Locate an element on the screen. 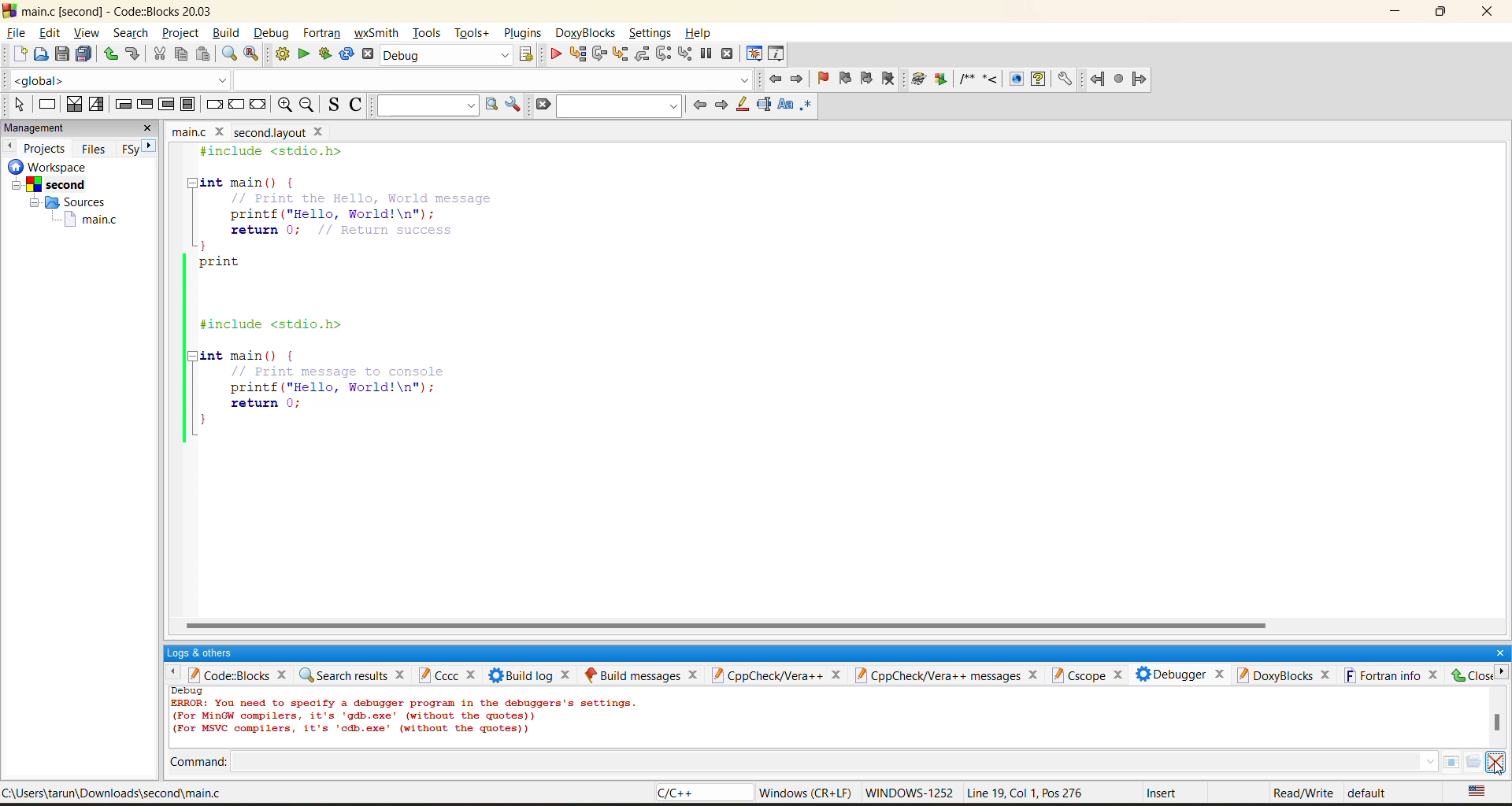 The height and width of the screenshot is (806, 1512). Close is located at coordinates (1473, 675).